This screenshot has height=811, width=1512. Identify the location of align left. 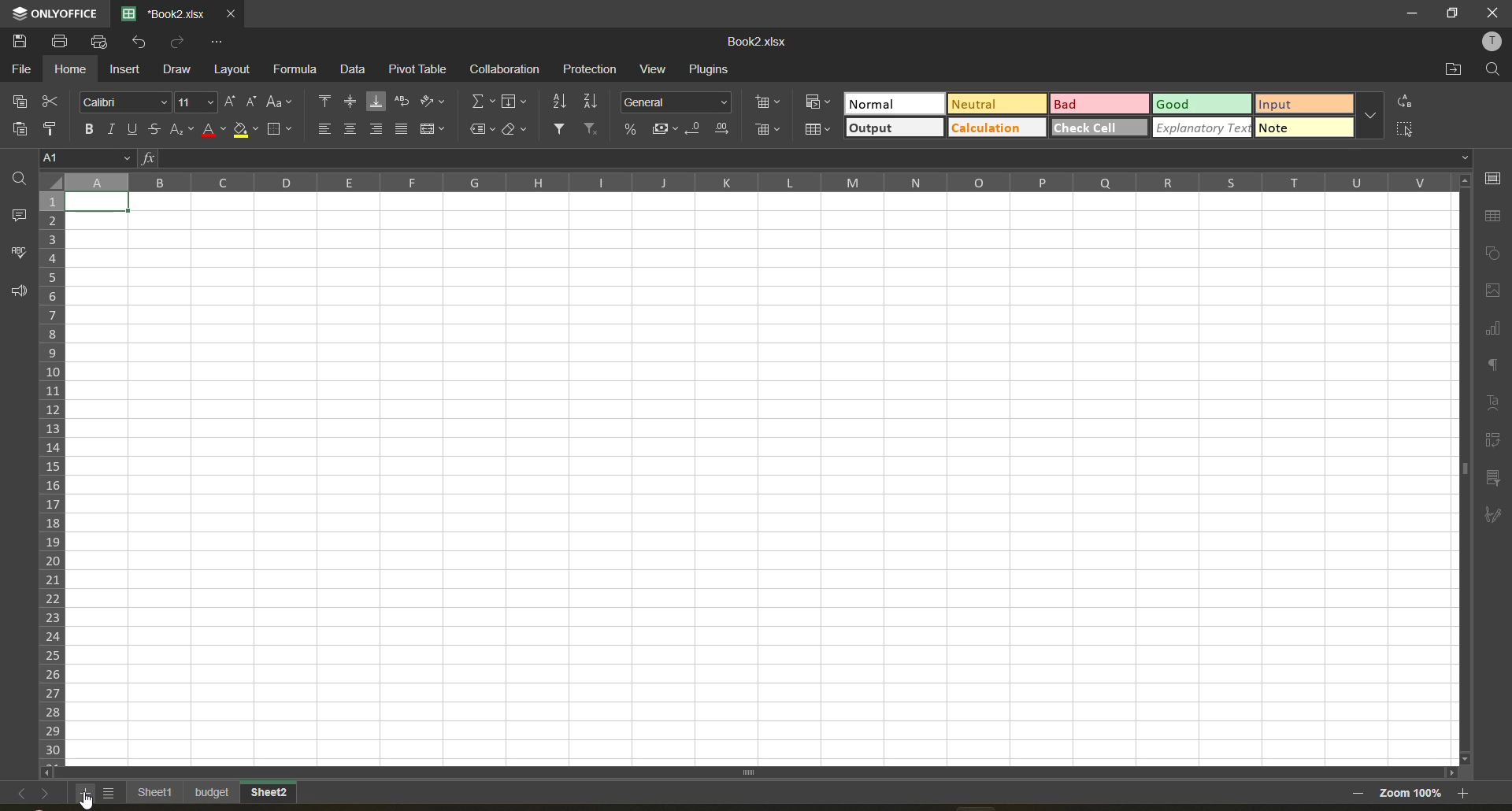
(325, 129).